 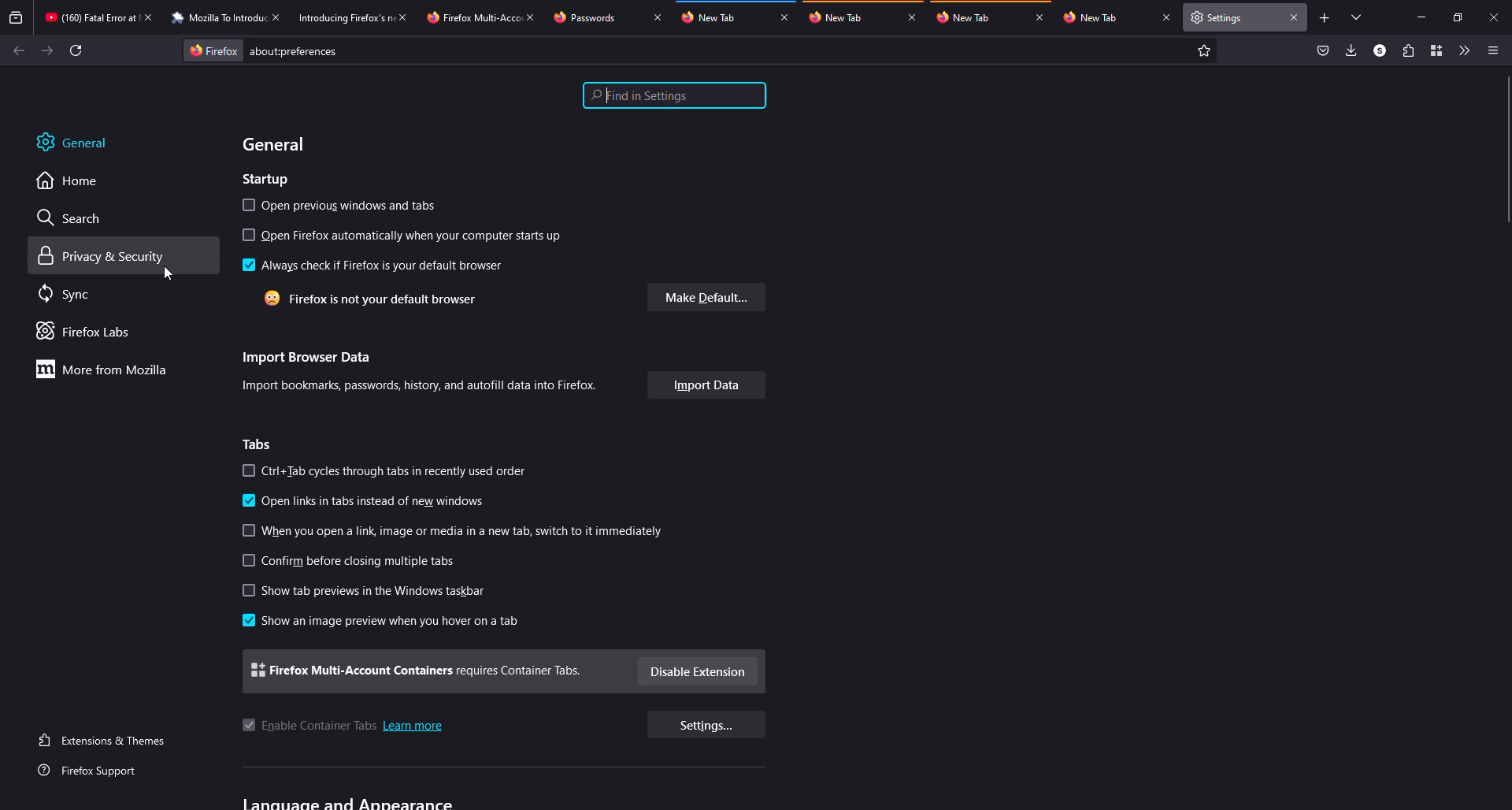 I want to click on import browser data, so click(x=310, y=356).